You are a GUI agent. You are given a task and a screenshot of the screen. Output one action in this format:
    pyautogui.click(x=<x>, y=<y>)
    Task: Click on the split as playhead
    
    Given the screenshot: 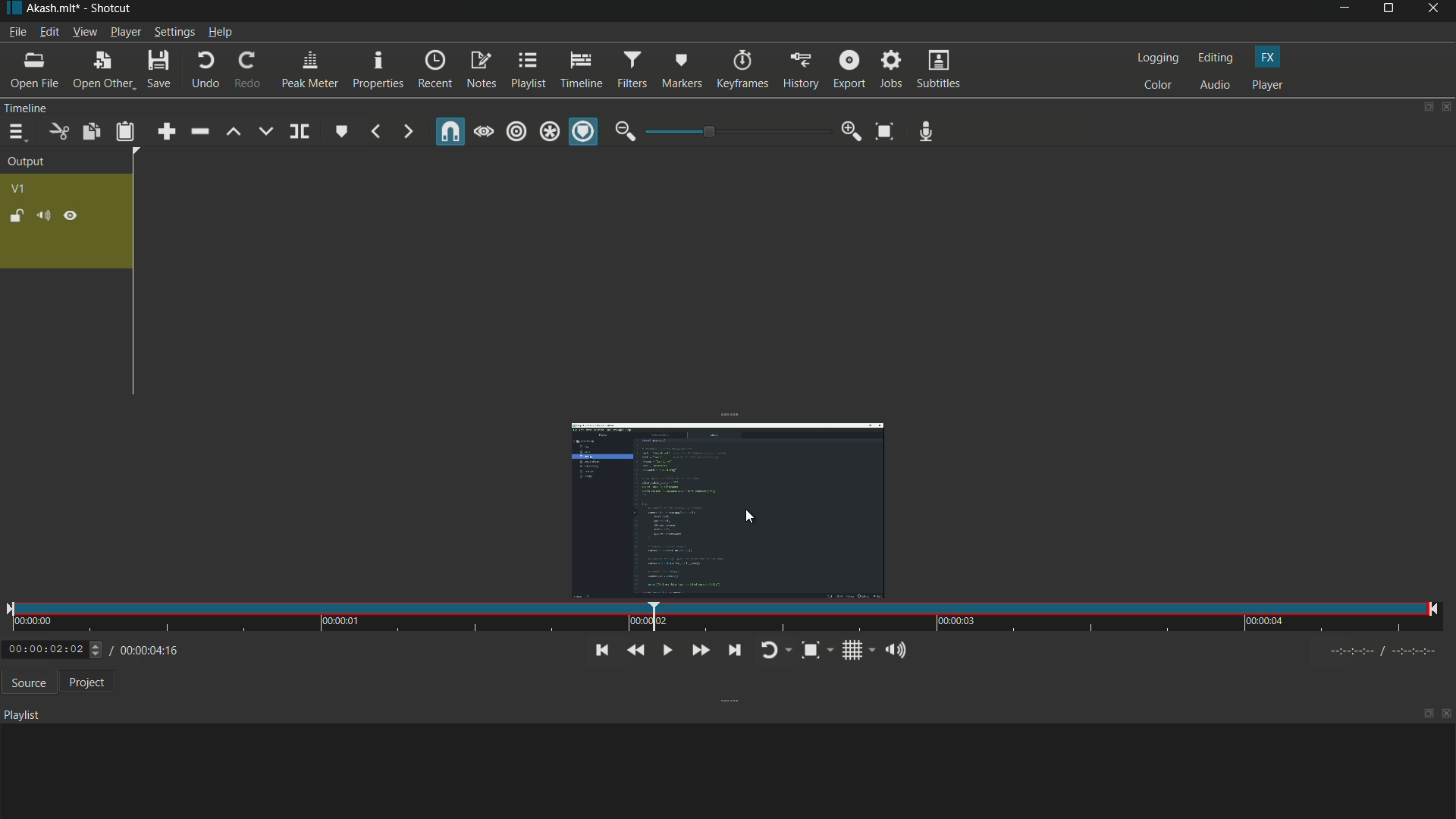 What is the action you would take?
    pyautogui.click(x=298, y=132)
    